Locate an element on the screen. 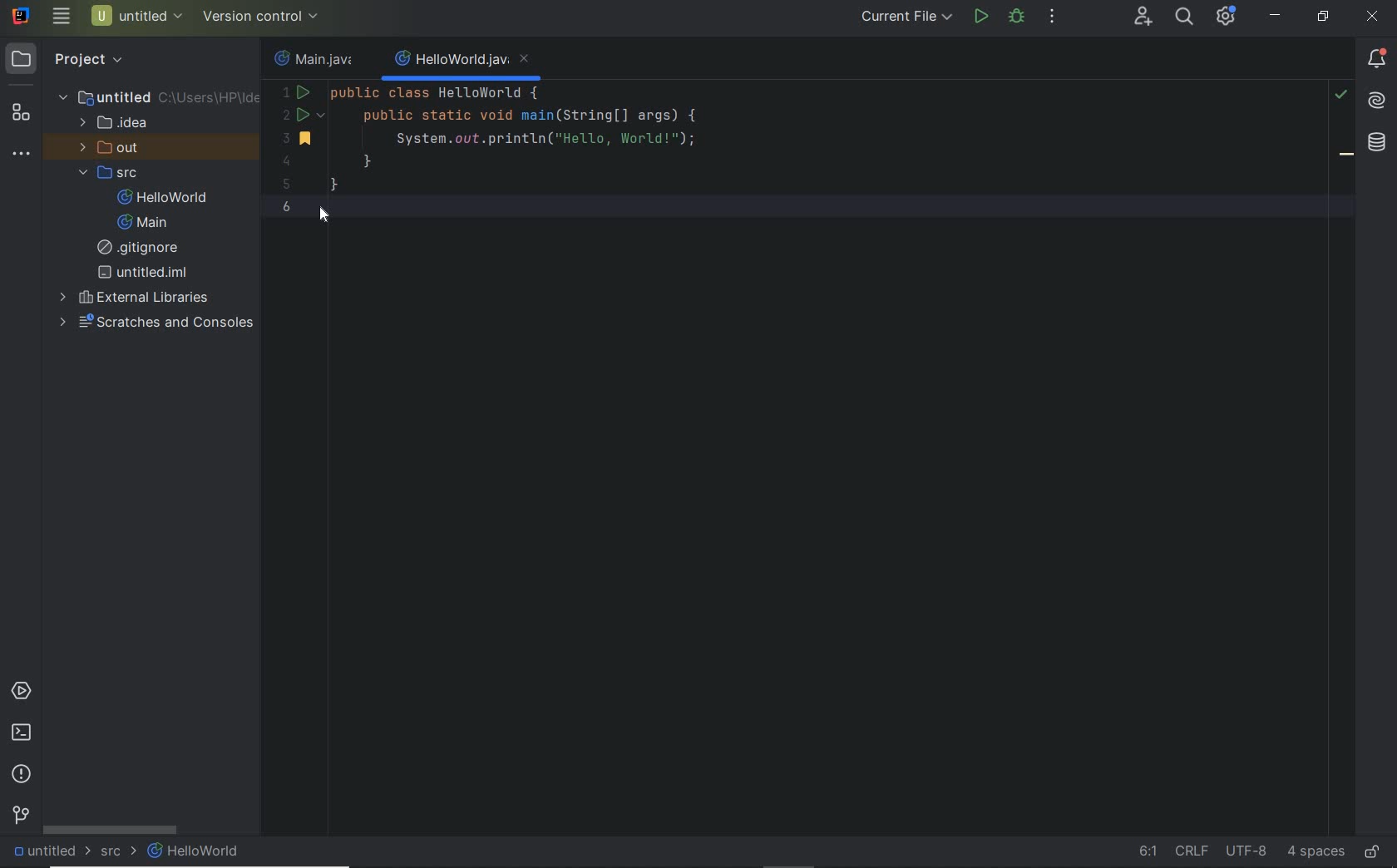 Image resolution: width=1397 pixels, height=868 pixels. project is located at coordinates (72, 60).